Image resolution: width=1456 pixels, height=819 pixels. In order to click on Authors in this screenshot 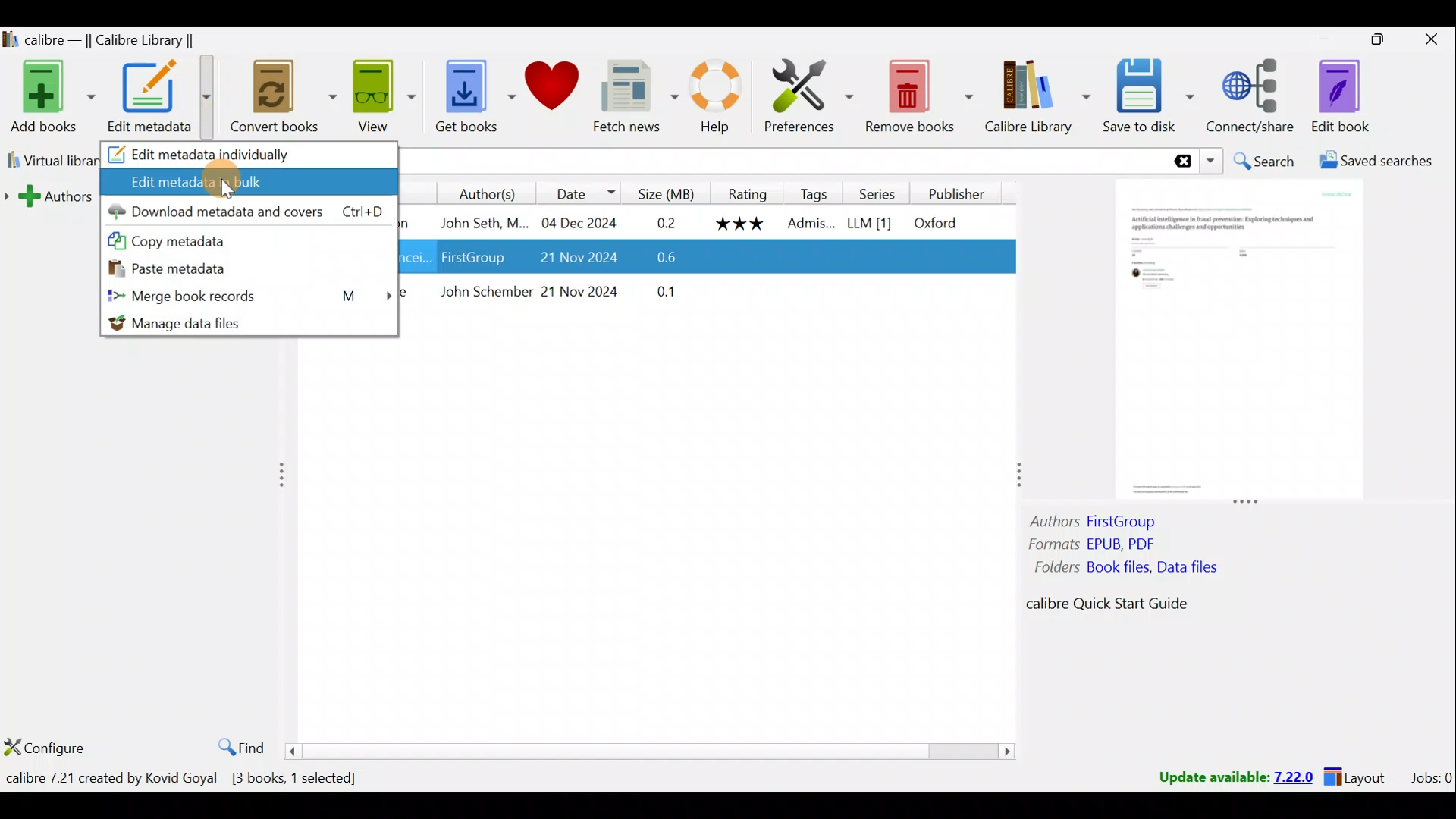, I will do `click(53, 195)`.